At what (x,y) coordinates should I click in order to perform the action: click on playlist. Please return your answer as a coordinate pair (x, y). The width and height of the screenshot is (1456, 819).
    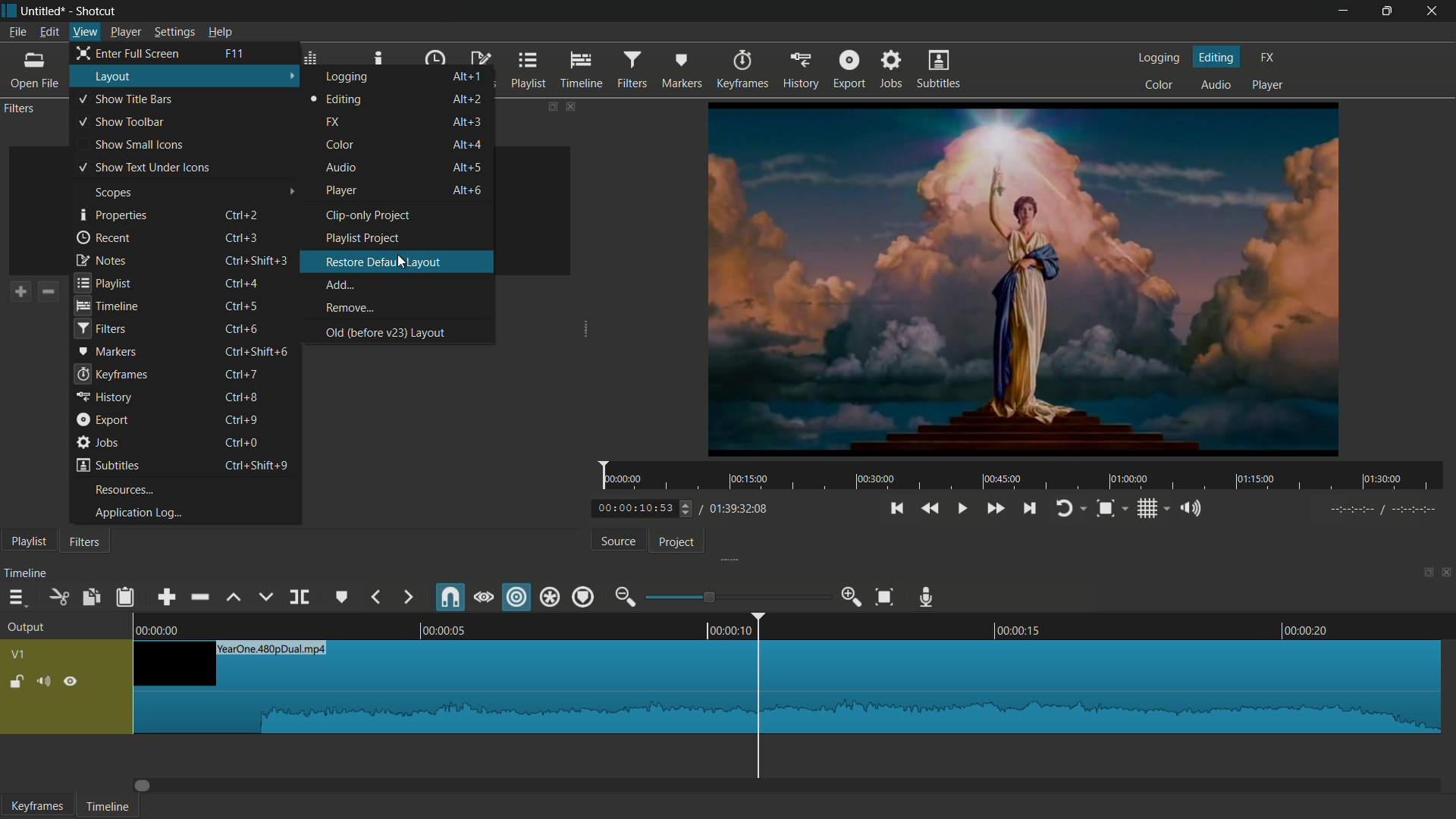
    Looking at the image, I should click on (529, 71).